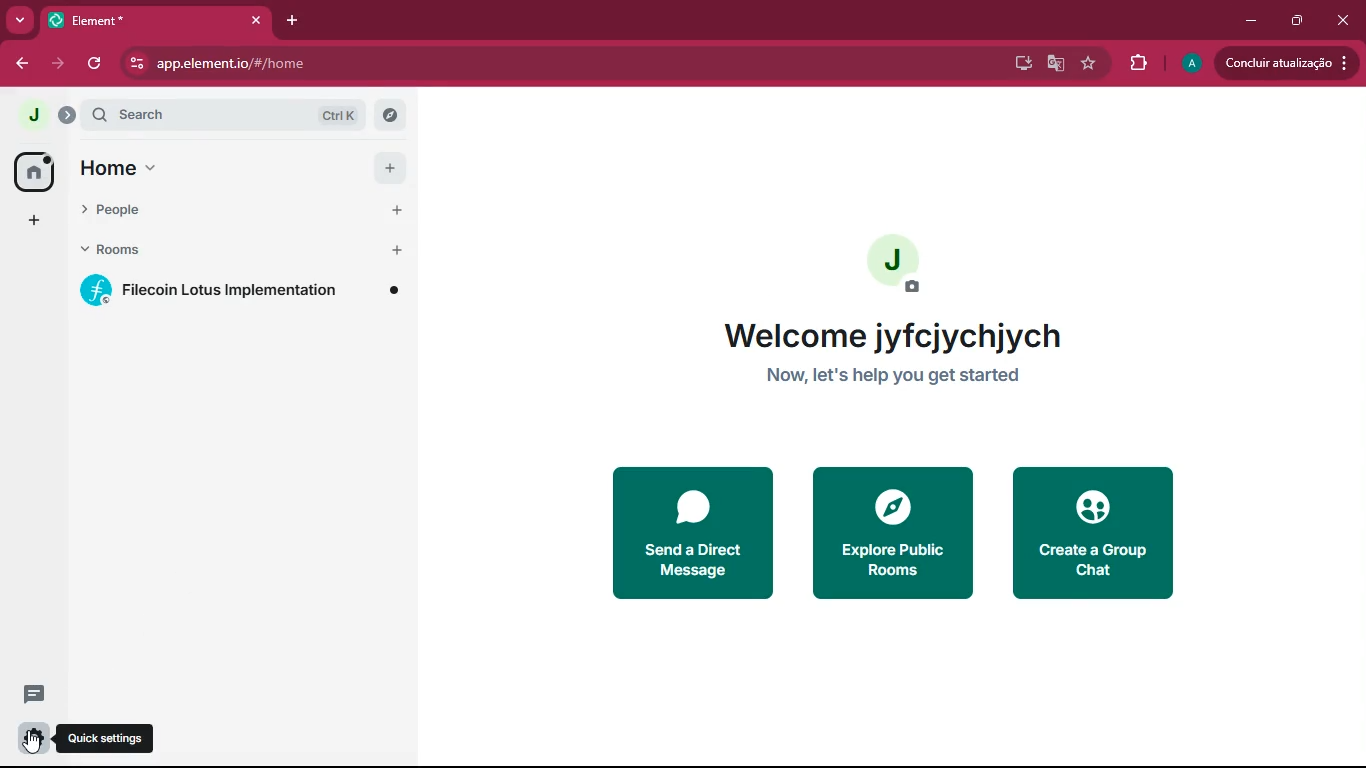  I want to click on close, so click(1346, 20).